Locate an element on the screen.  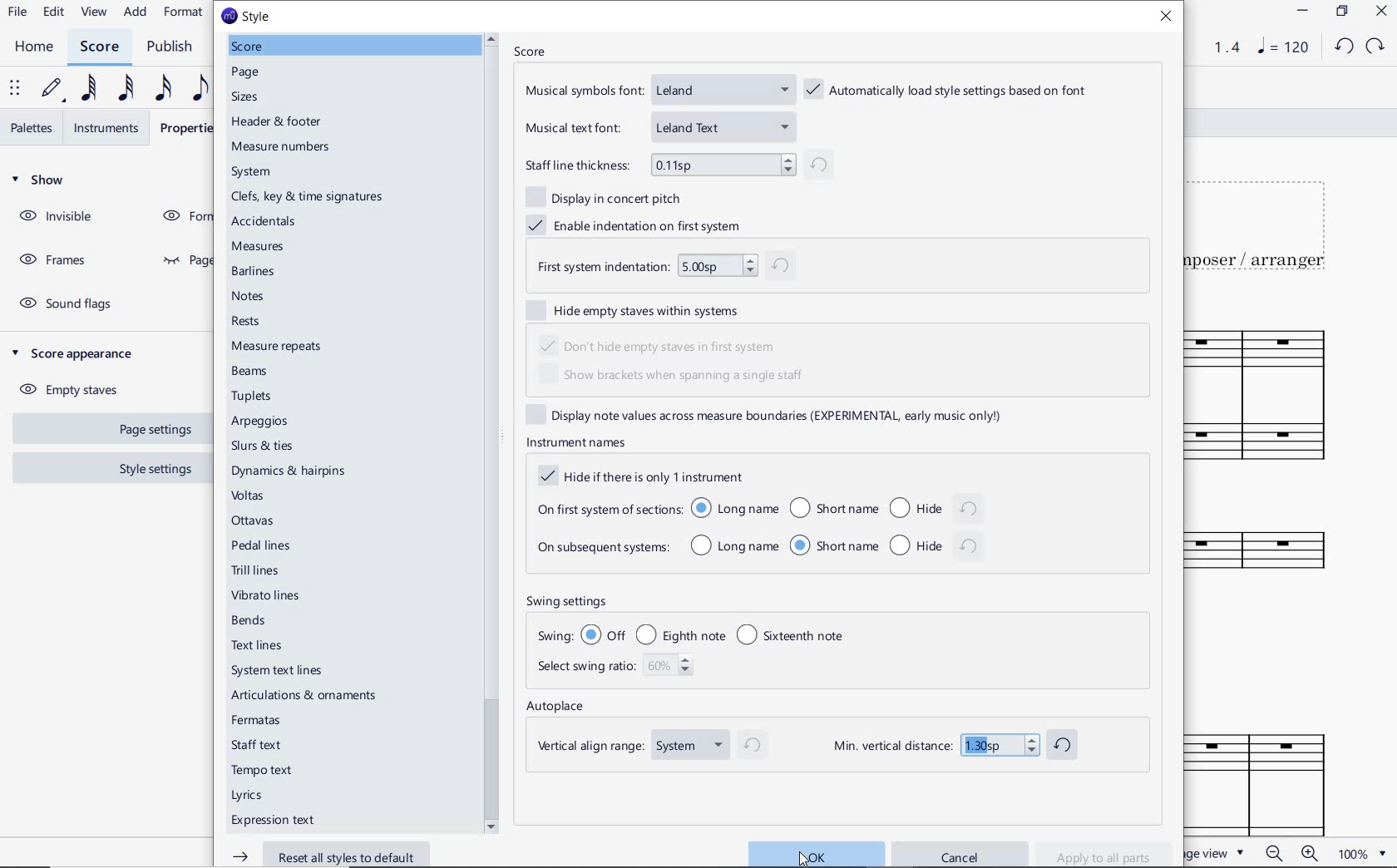
PLAY TIME is located at coordinates (1215, 47).